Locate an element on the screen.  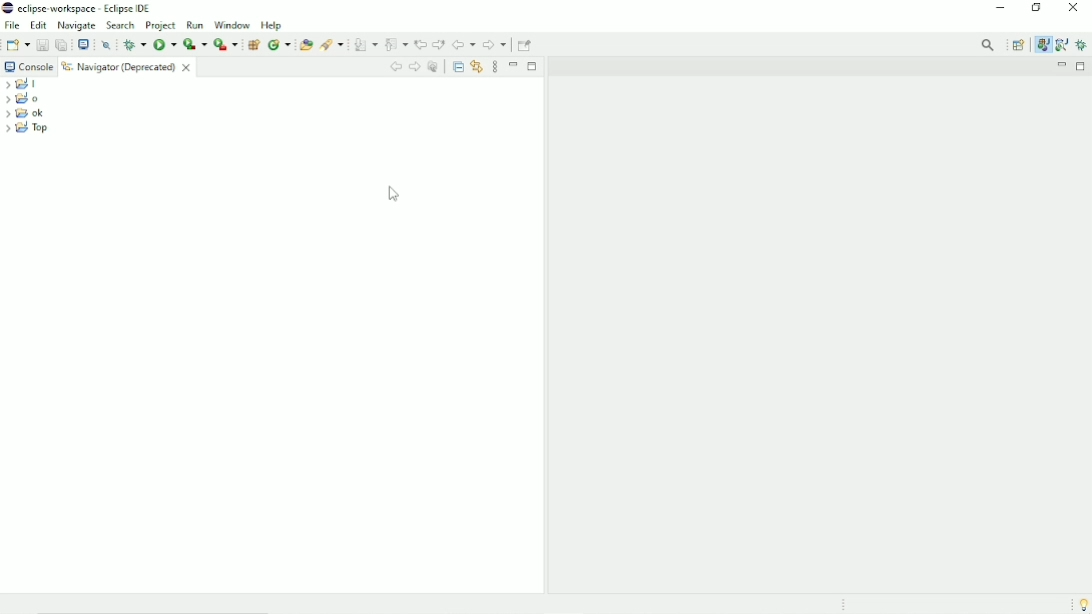
Open Perspective is located at coordinates (1018, 45).